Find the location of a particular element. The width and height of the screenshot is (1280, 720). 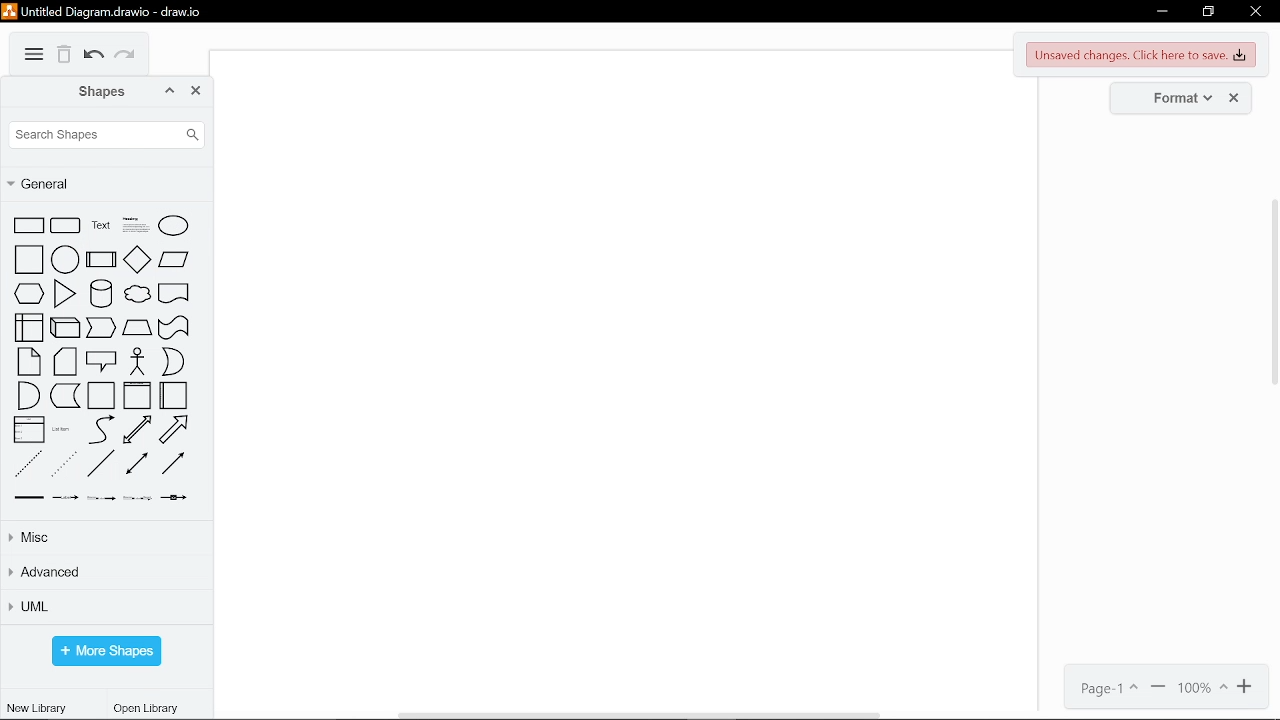

vertical scrollbar is located at coordinates (1272, 291).